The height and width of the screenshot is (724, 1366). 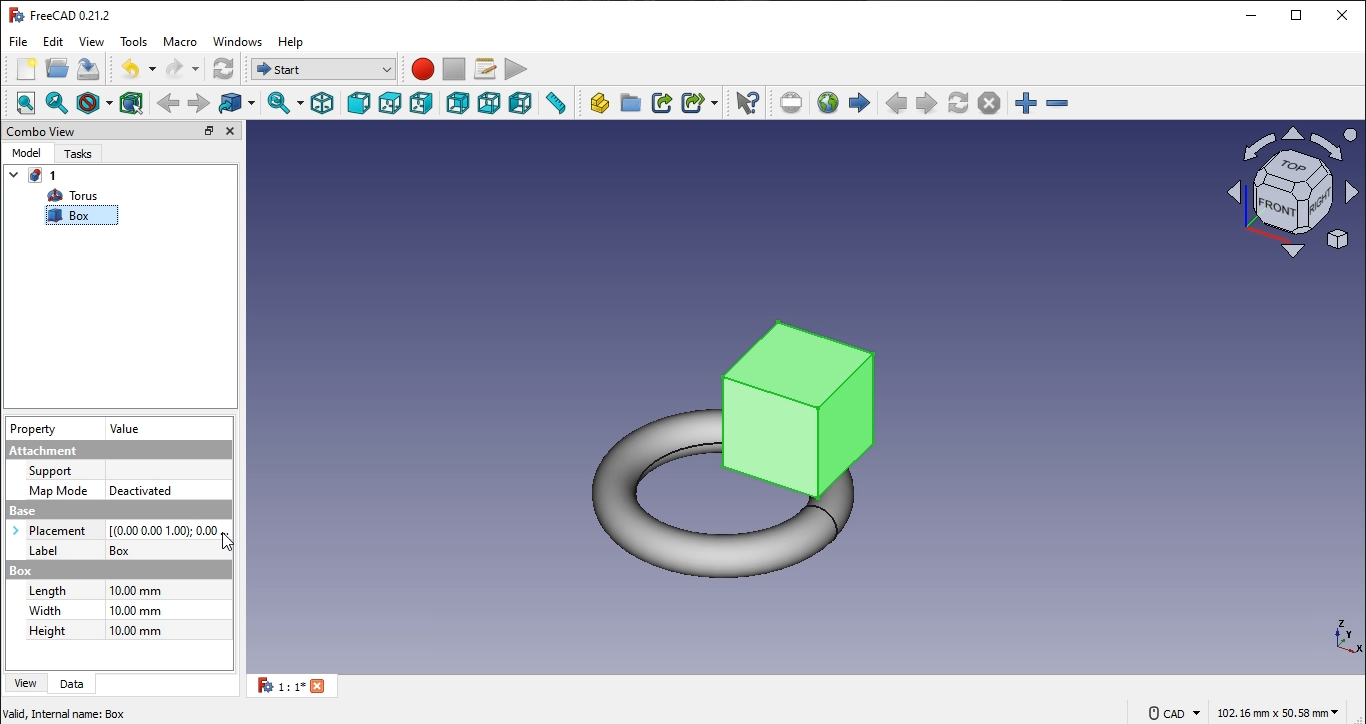 What do you see at coordinates (1026, 103) in the screenshot?
I see `zoom in` at bounding box center [1026, 103].